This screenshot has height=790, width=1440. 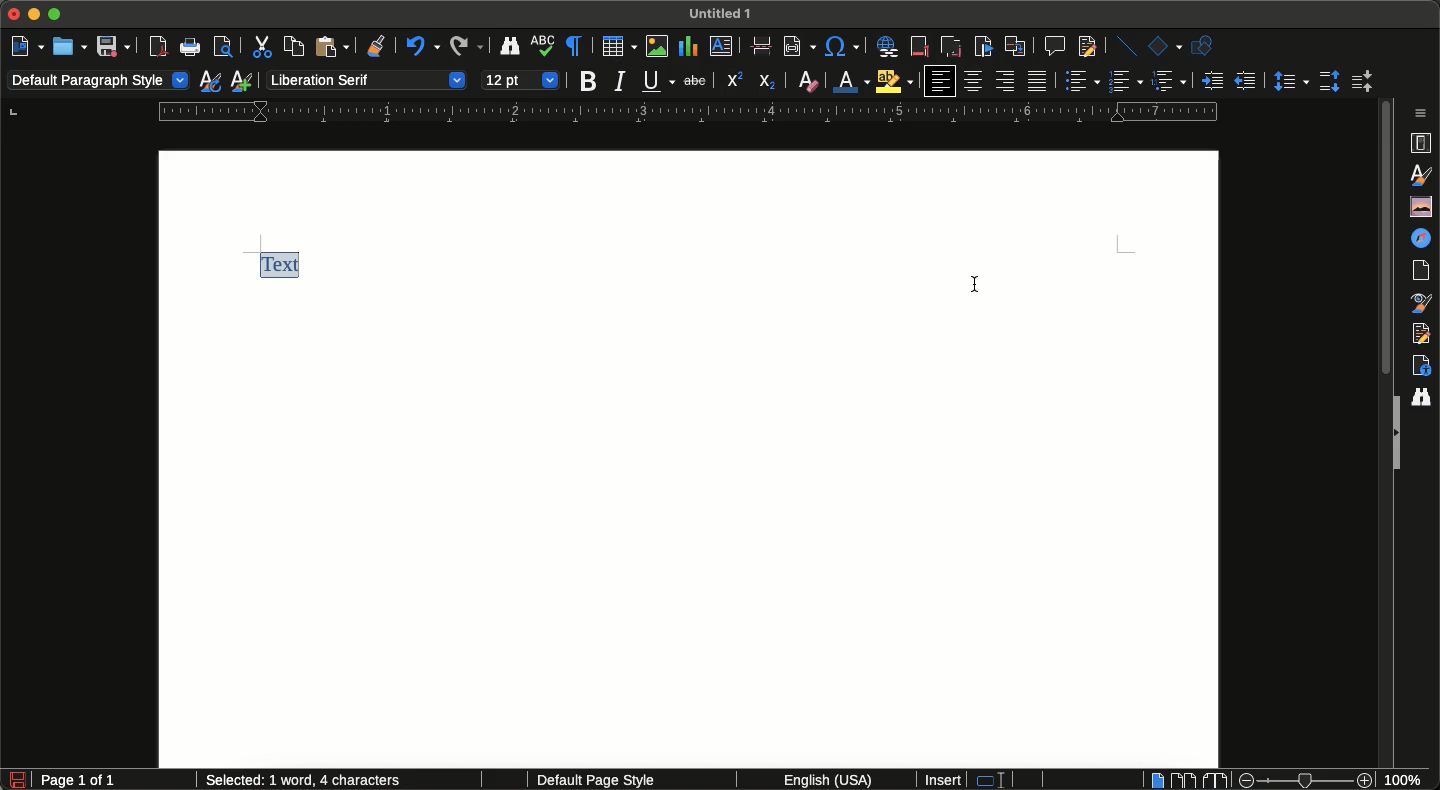 What do you see at coordinates (688, 46) in the screenshot?
I see `Insert chart` at bounding box center [688, 46].